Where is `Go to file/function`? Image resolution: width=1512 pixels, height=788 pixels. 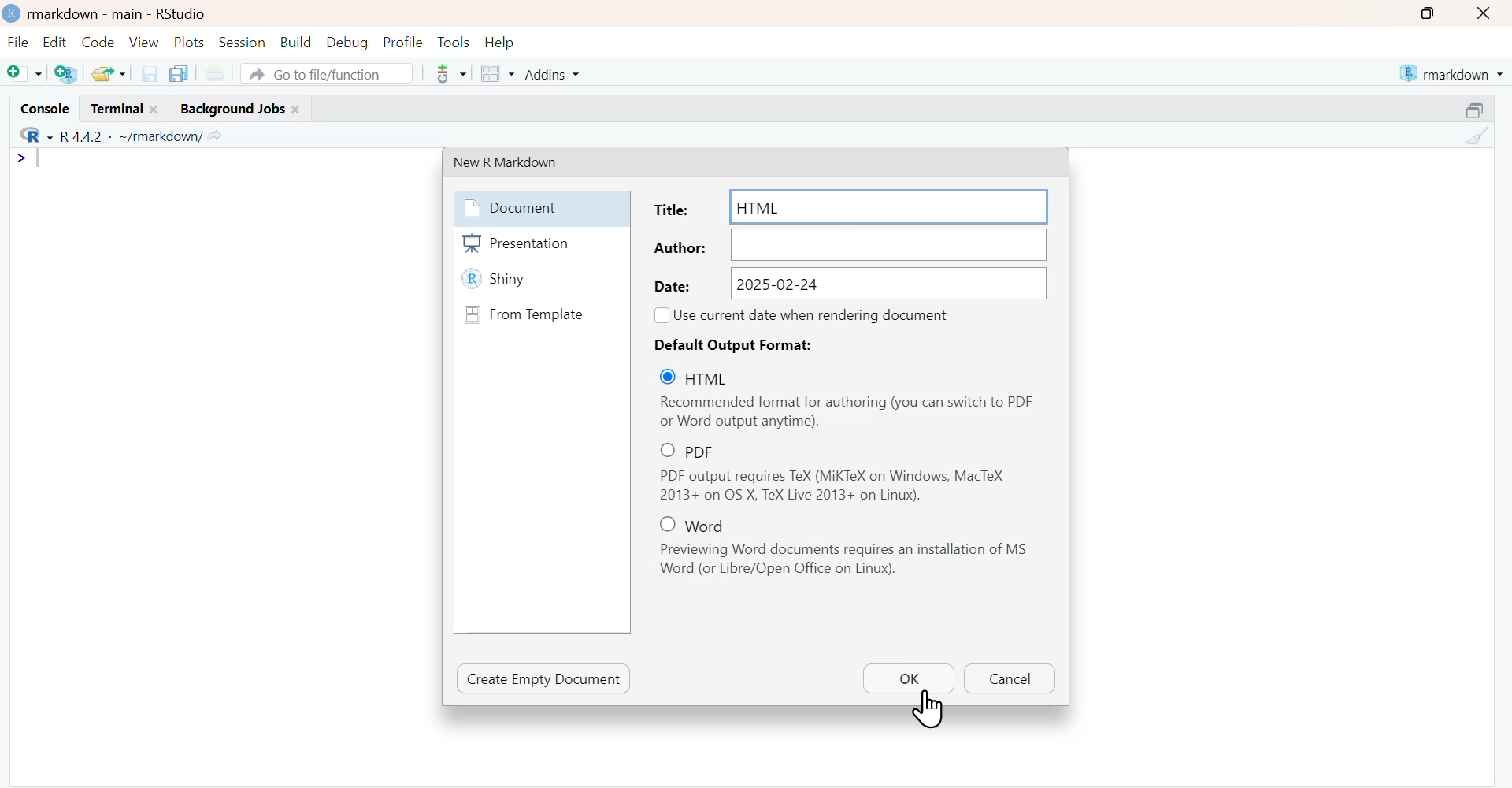
Go to file/function is located at coordinates (327, 72).